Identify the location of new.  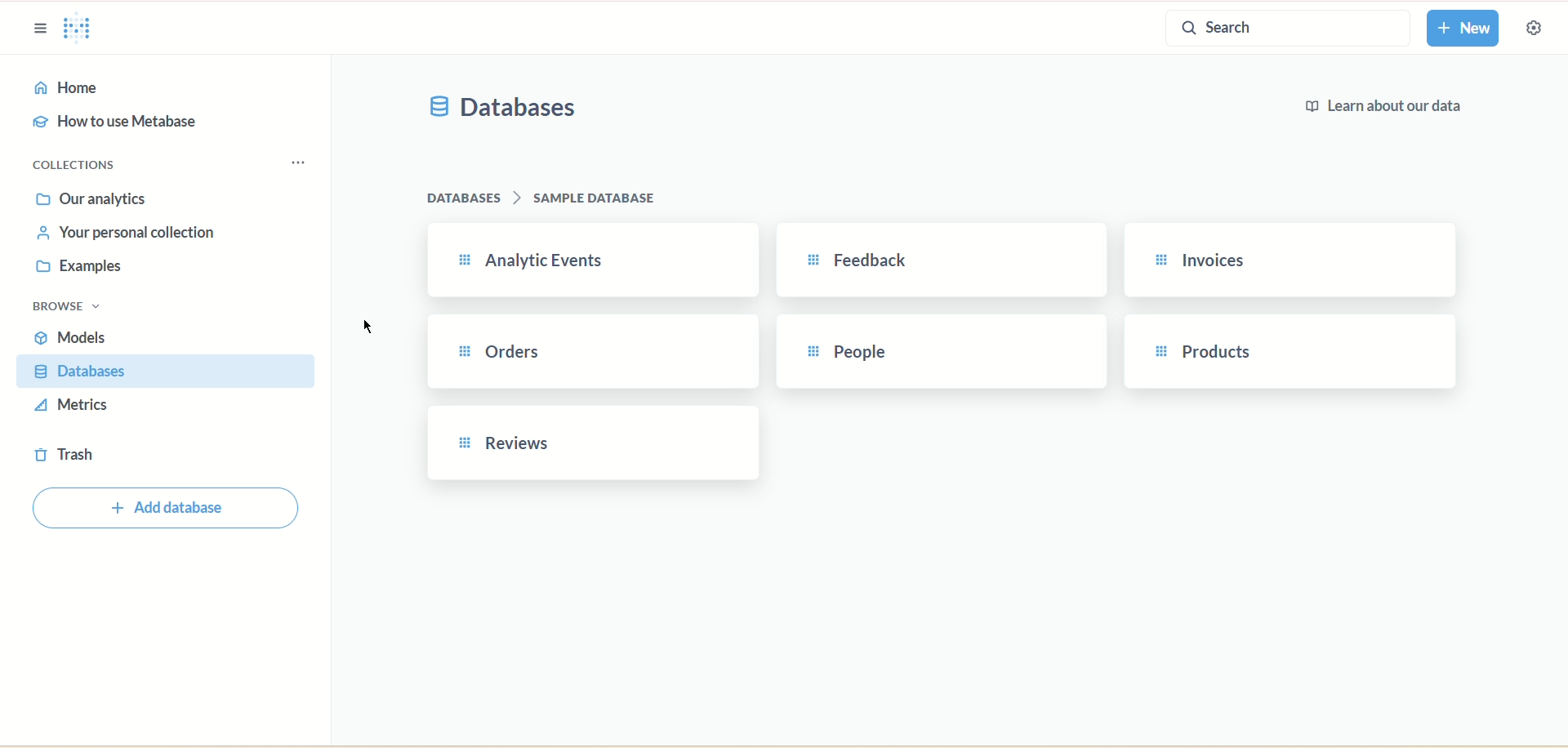
(1463, 29).